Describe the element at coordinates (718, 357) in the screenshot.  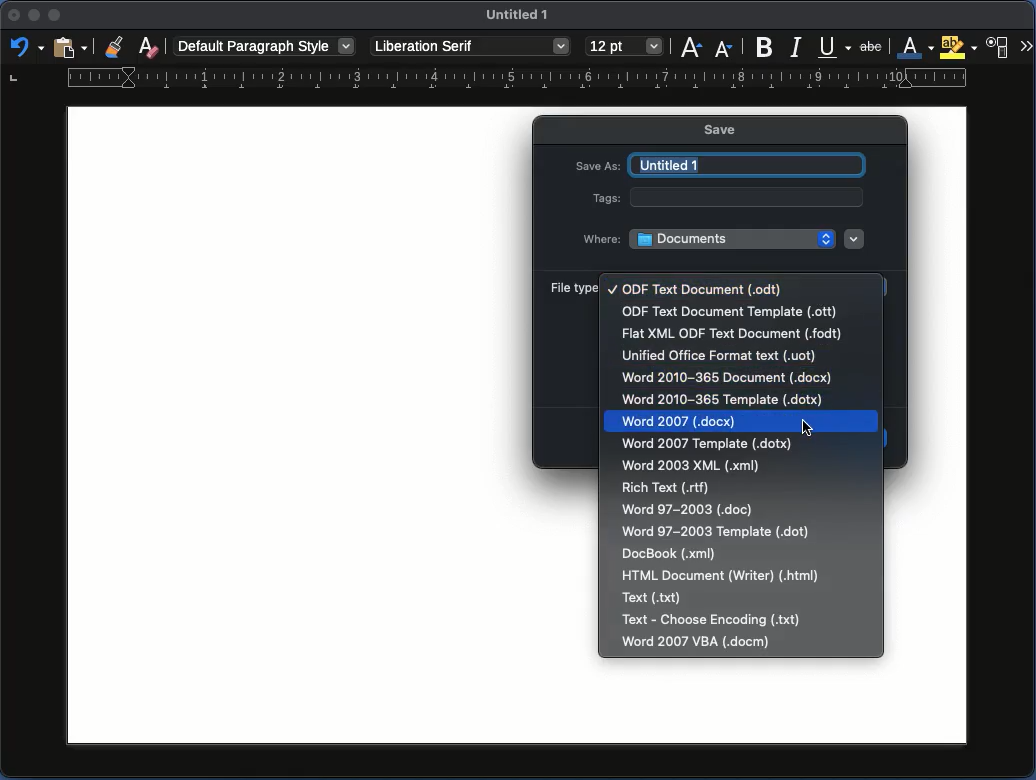
I see `uot` at that location.